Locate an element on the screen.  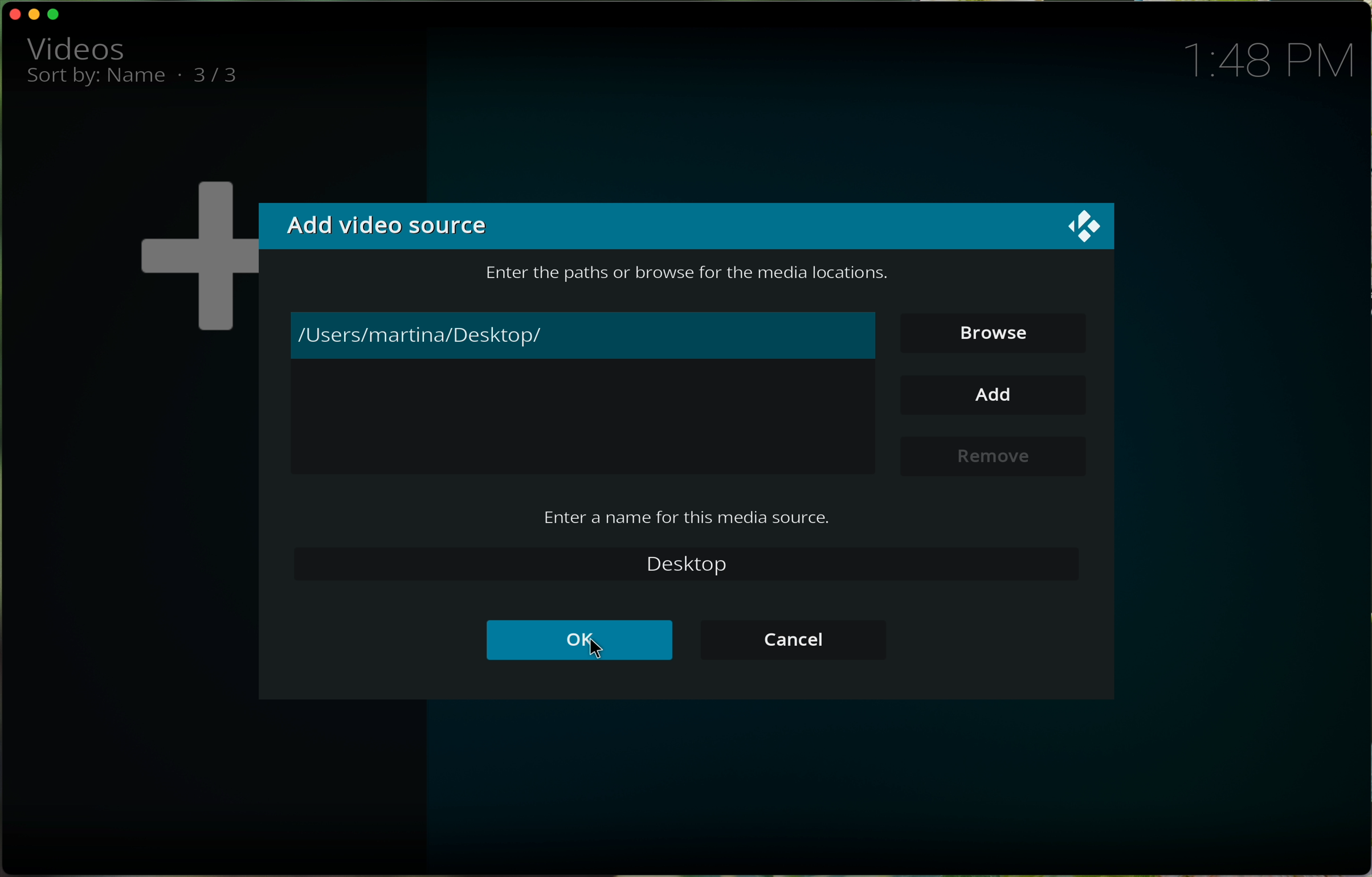
maximise is located at coordinates (57, 15).